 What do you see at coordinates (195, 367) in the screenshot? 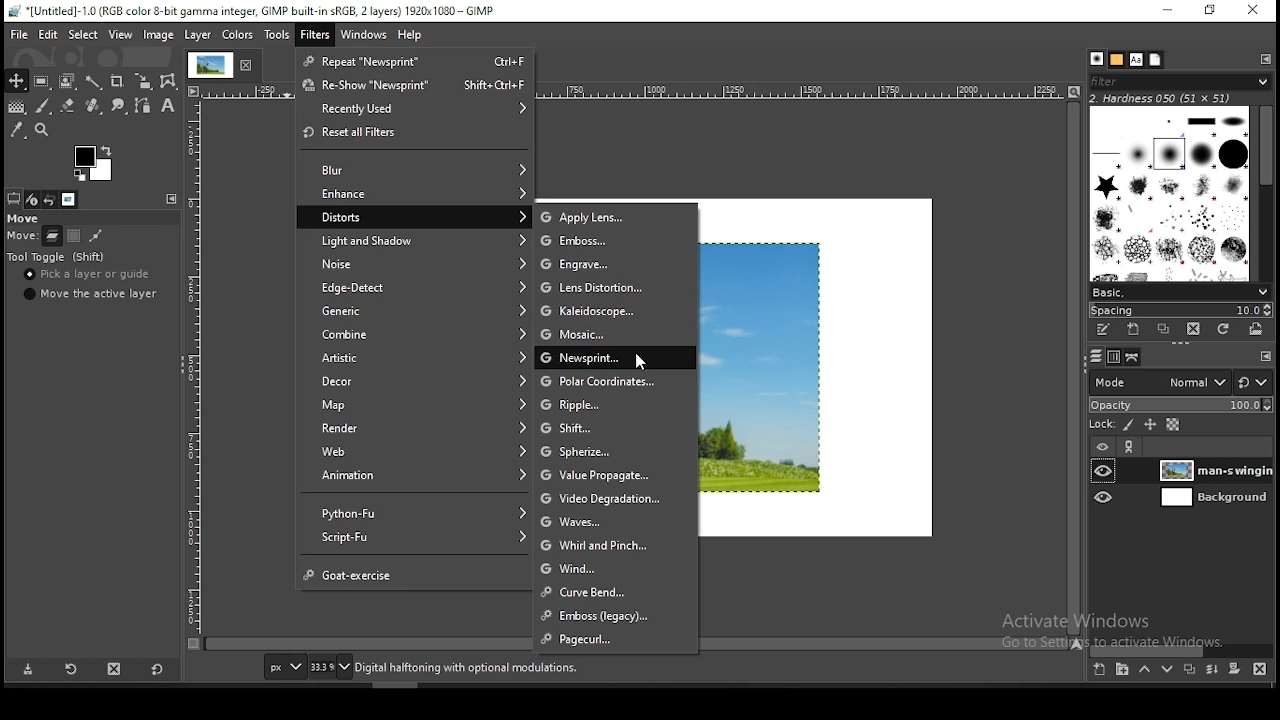
I see `scale (vertical)` at bounding box center [195, 367].